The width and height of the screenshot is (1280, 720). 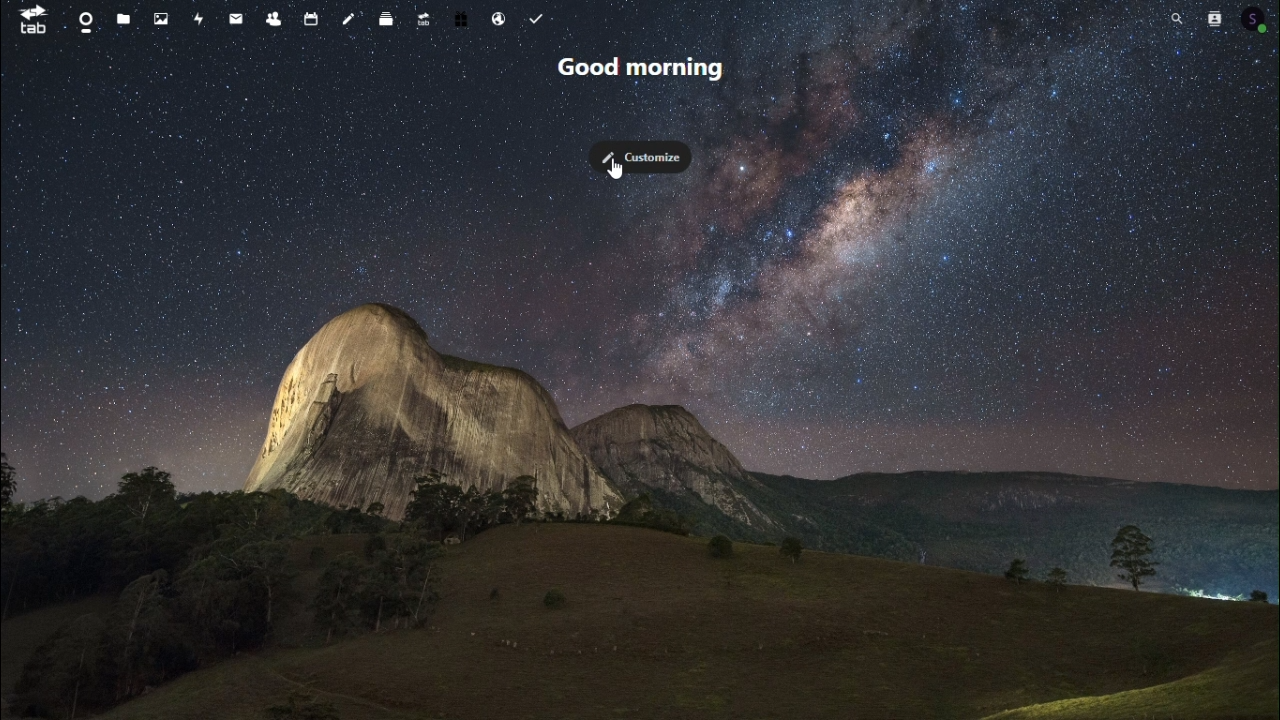 What do you see at coordinates (197, 20) in the screenshot?
I see `Activity` at bounding box center [197, 20].